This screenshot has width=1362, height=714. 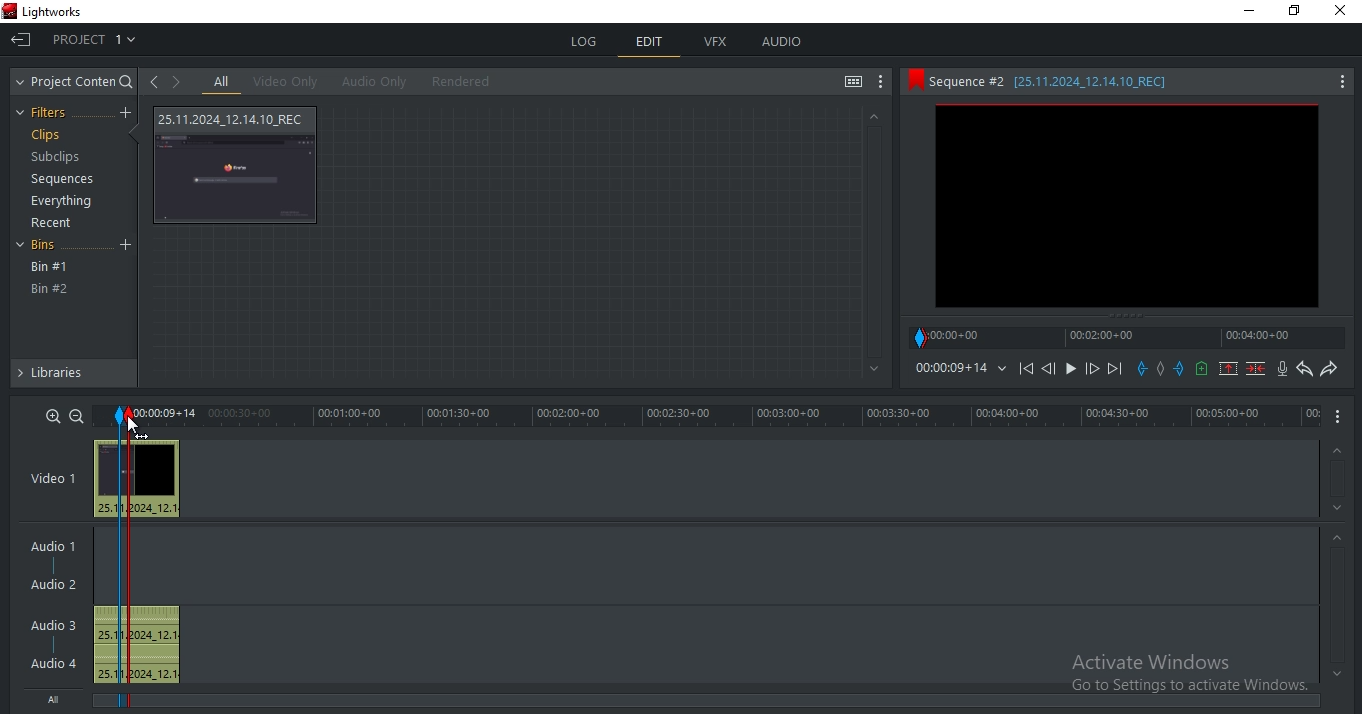 What do you see at coordinates (50, 267) in the screenshot?
I see `bin #1` at bounding box center [50, 267].